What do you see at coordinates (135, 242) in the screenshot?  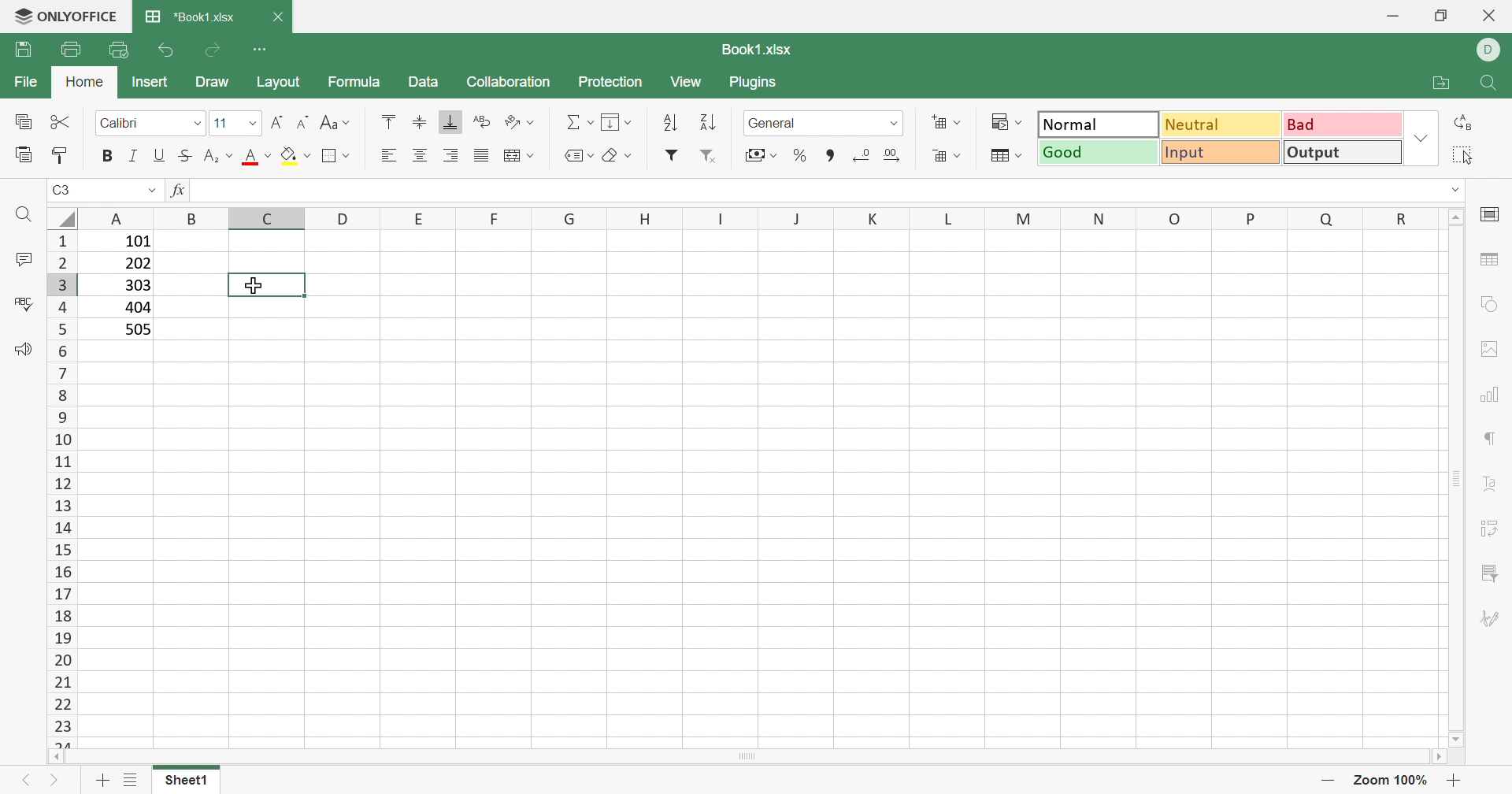 I see `101` at bounding box center [135, 242].